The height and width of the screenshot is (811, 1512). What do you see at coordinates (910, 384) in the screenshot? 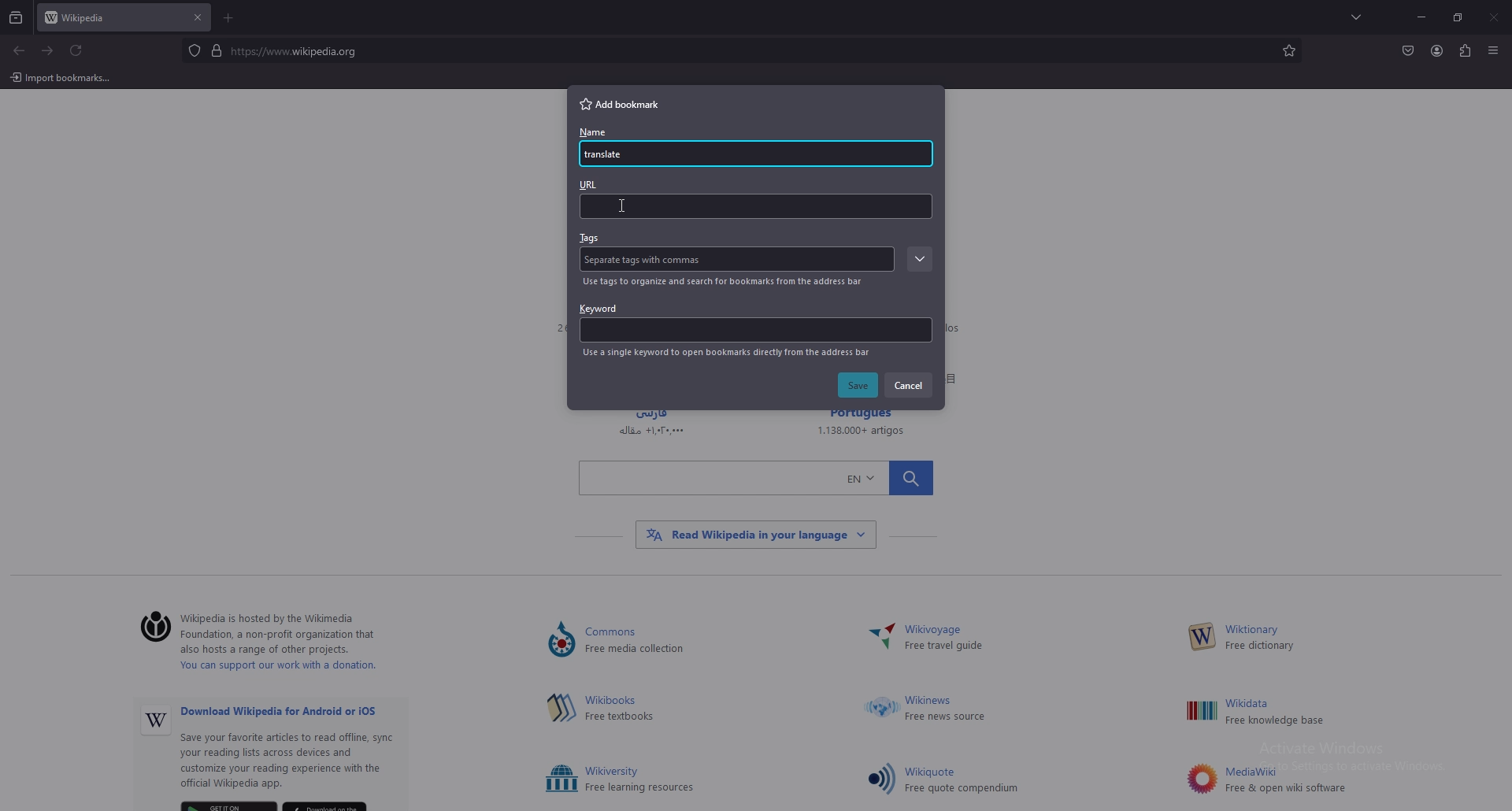
I see `cancel` at bounding box center [910, 384].